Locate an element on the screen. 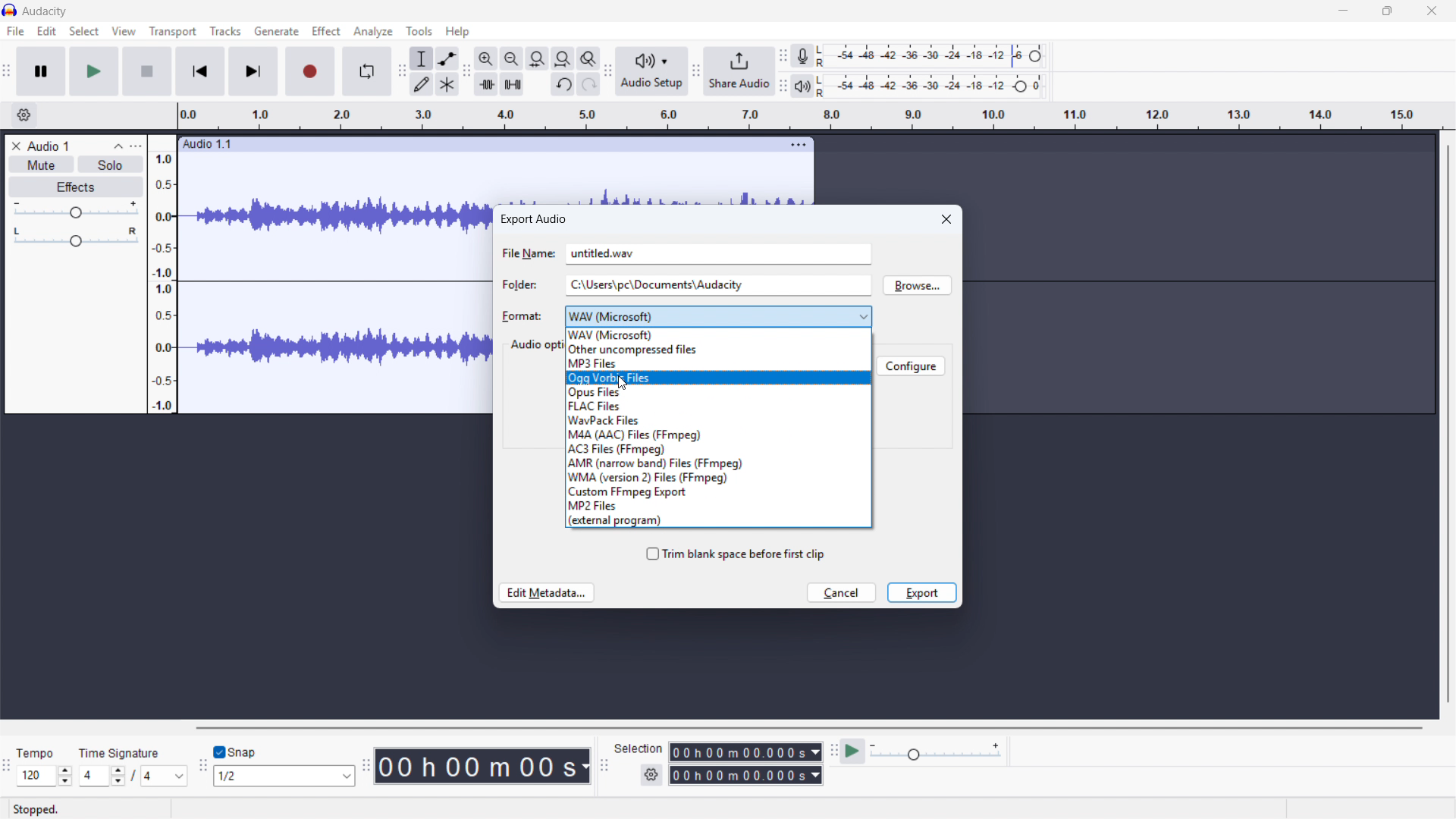 The width and height of the screenshot is (1456, 819). Fit selection to width is located at coordinates (538, 58).